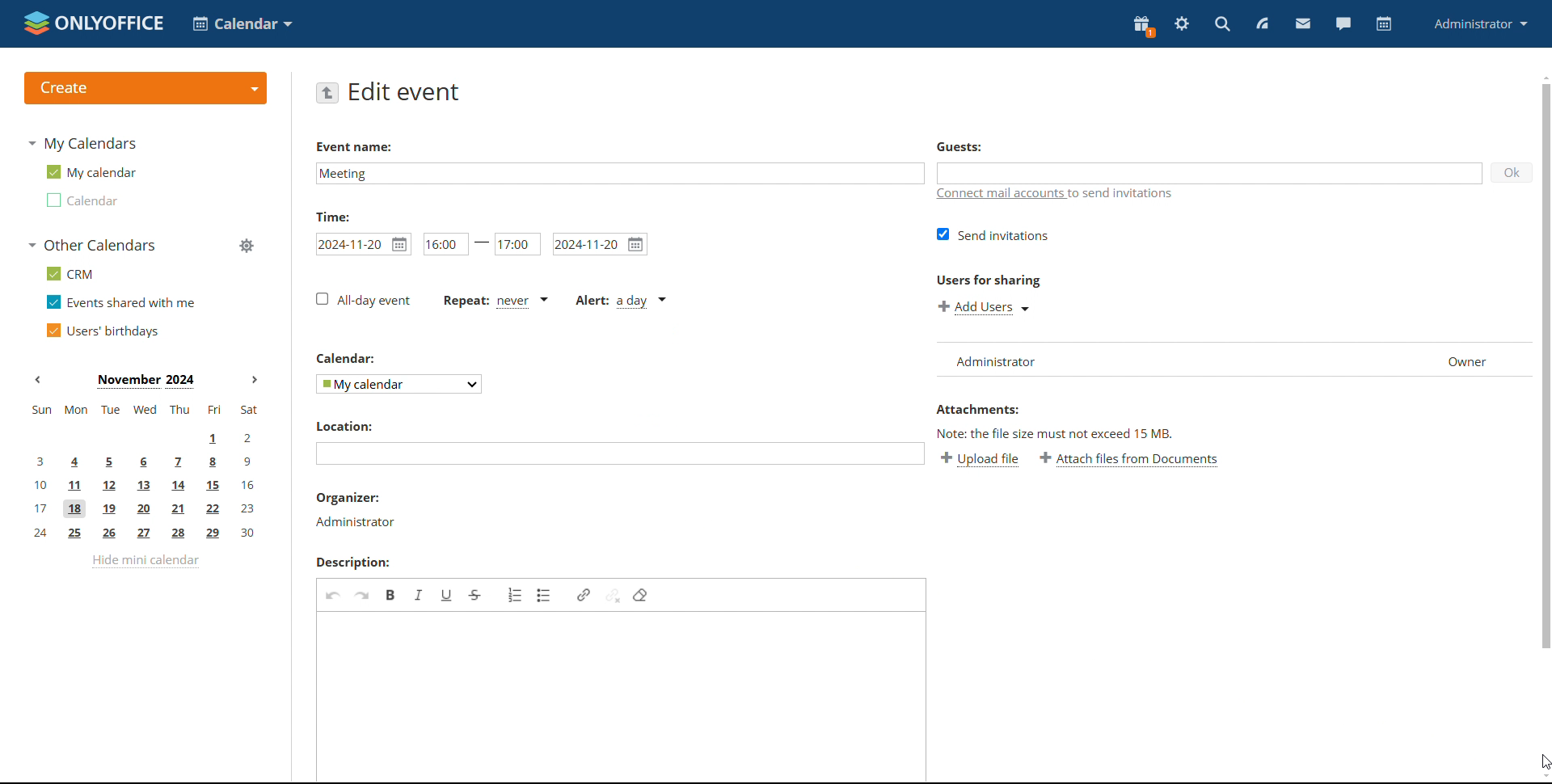 Image resolution: width=1552 pixels, height=784 pixels. Describe the element at coordinates (1303, 25) in the screenshot. I see `mail` at that location.